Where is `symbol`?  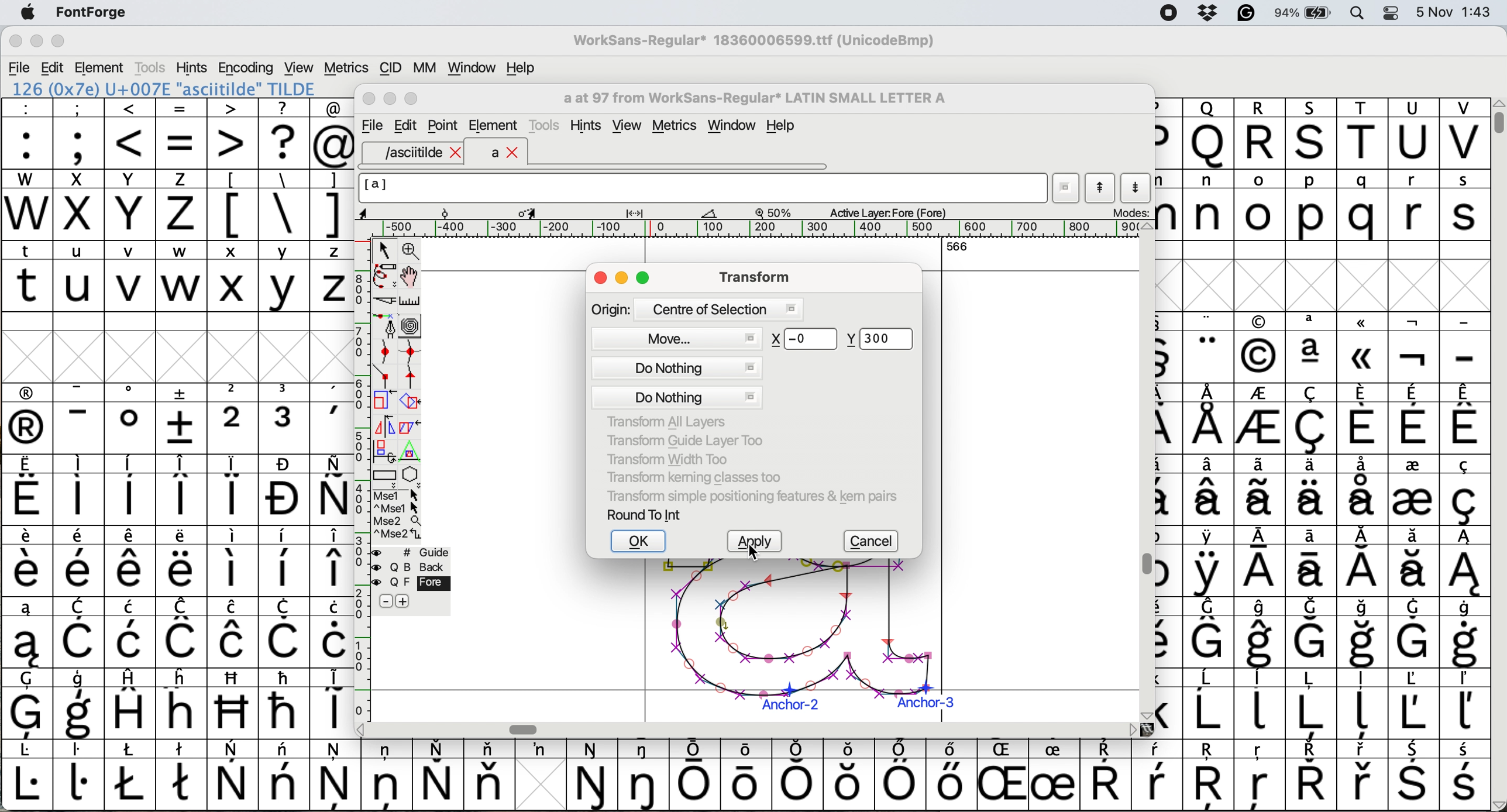
symbol is located at coordinates (1312, 562).